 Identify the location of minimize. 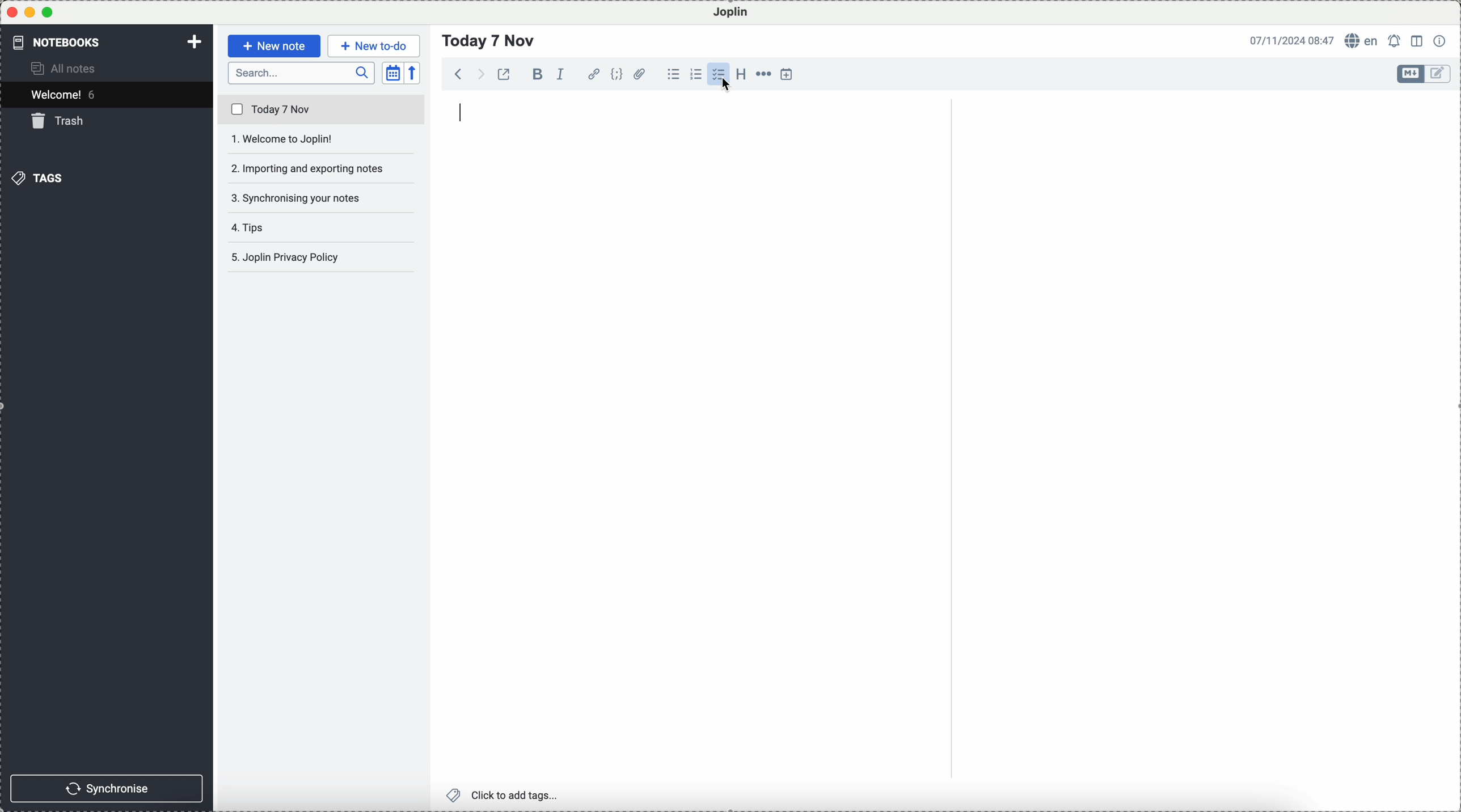
(31, 12).